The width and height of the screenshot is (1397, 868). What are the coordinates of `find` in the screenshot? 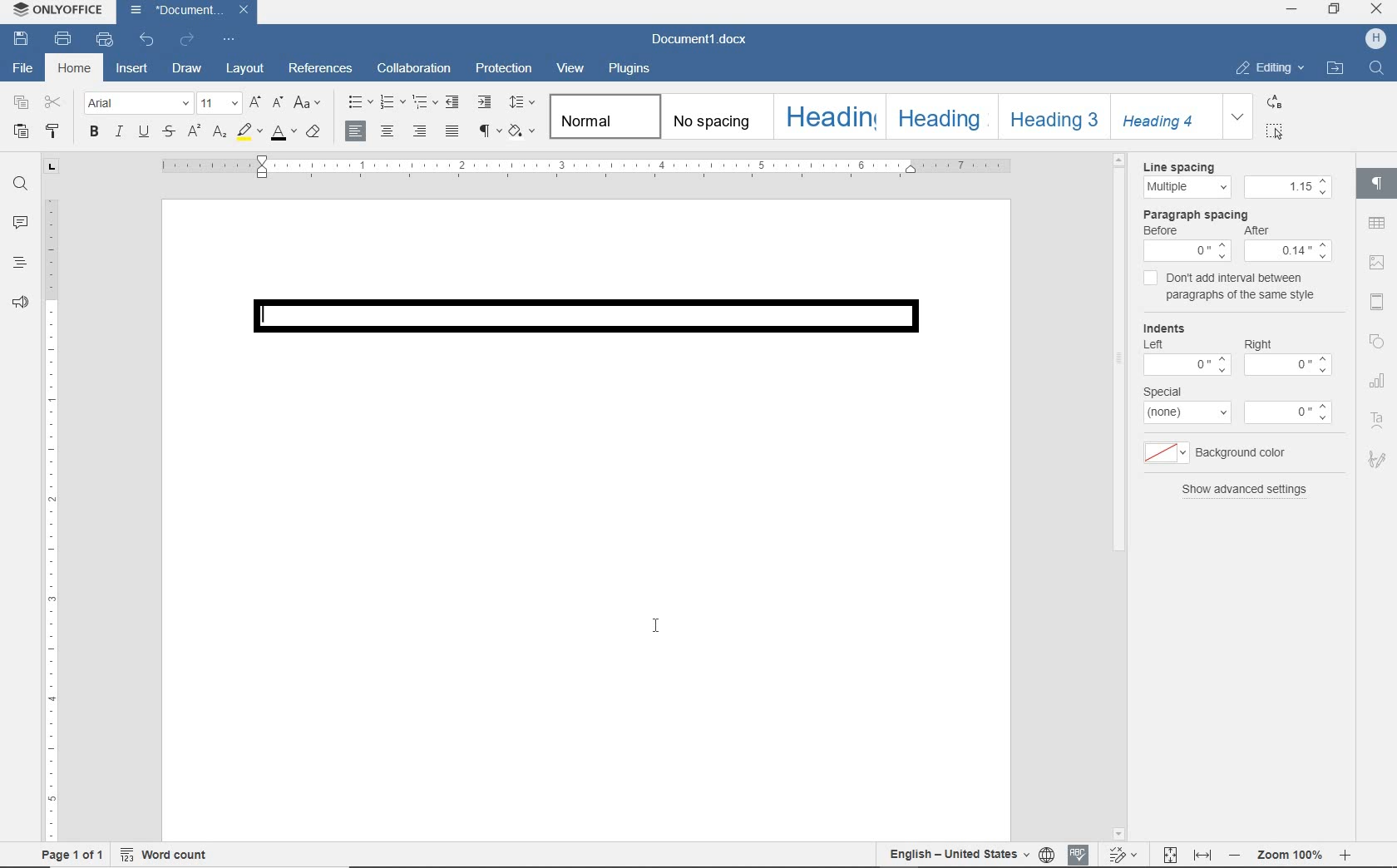 It's located at (17, 184).